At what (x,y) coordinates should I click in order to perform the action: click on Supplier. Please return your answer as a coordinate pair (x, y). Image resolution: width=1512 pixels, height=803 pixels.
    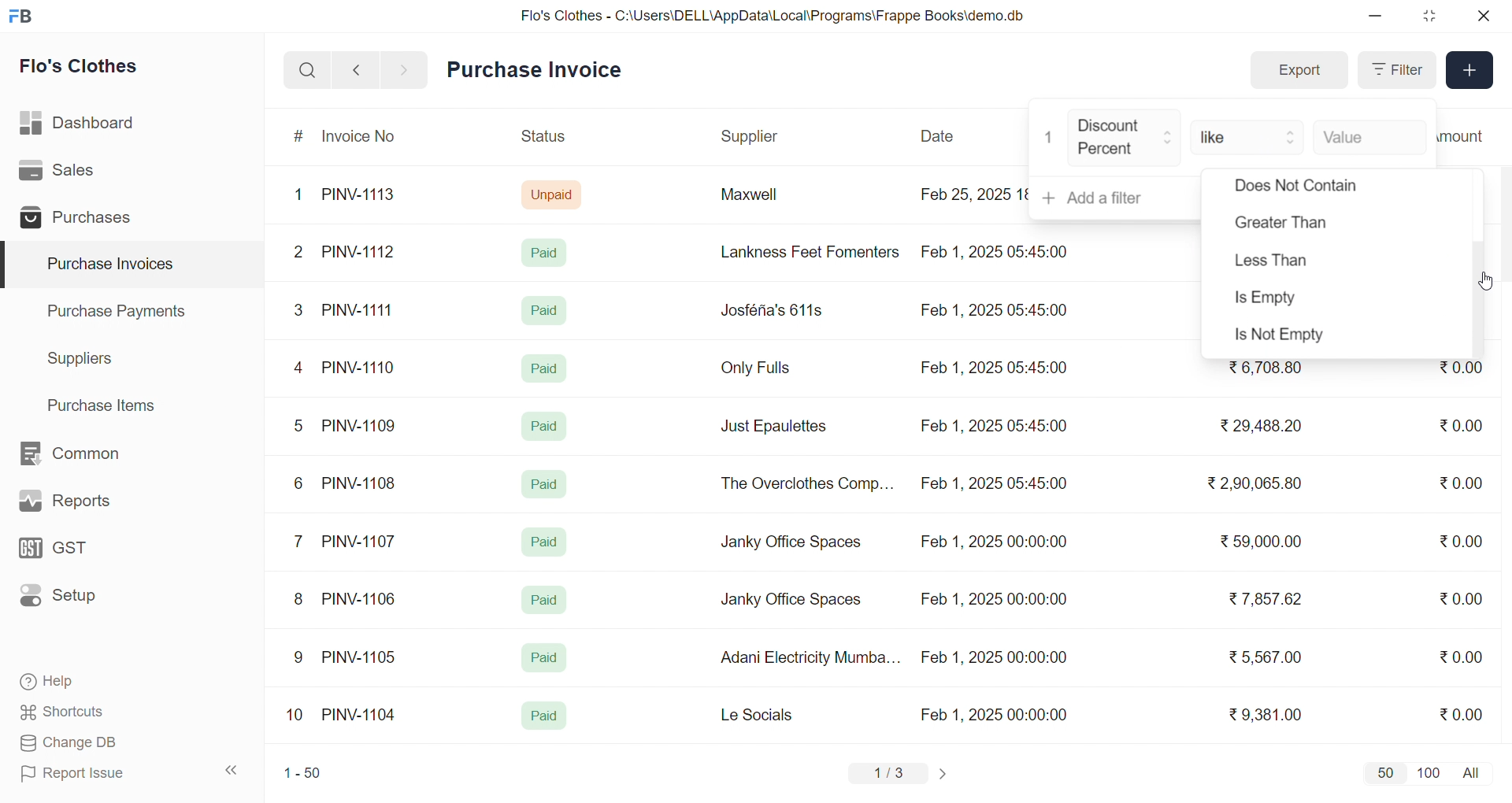
    Looking at the image, I should click on (752, 137).